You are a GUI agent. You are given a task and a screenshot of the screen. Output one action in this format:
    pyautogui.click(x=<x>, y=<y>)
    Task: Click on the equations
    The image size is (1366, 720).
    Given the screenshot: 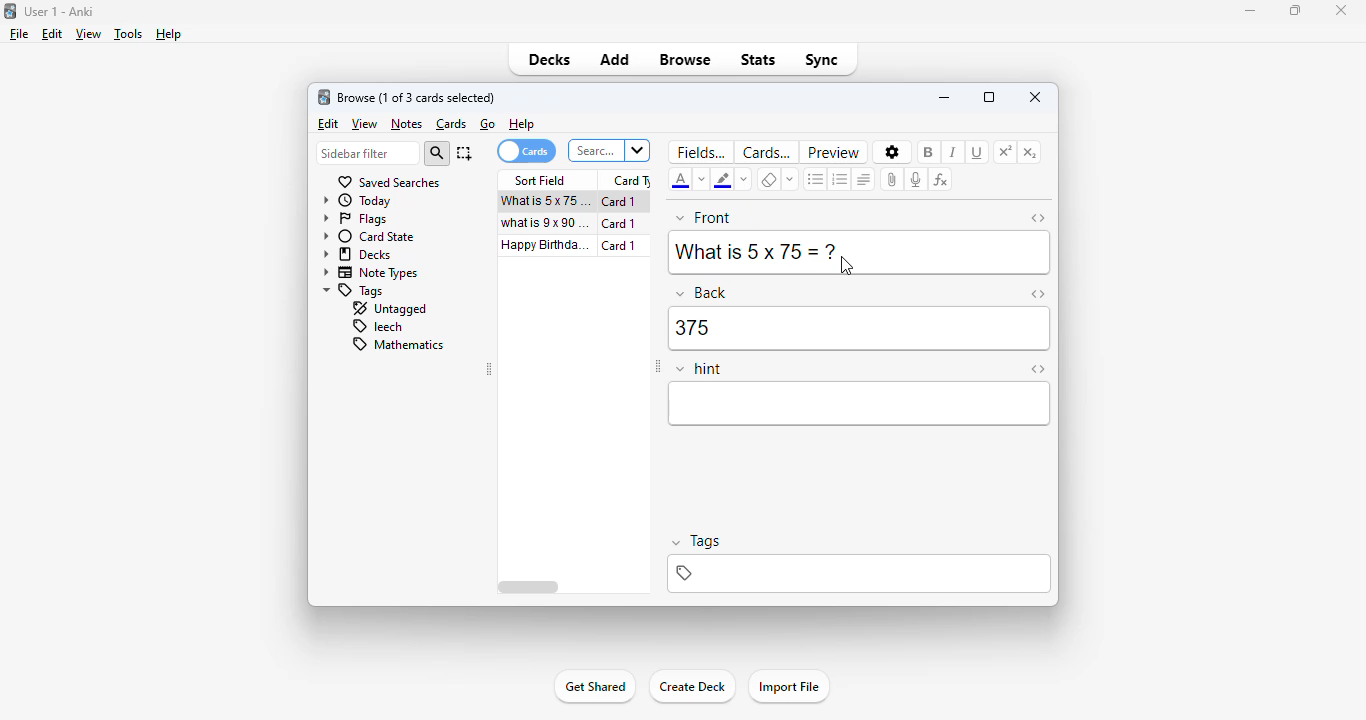 What is the action you would take?
    pyautogui.click(x=942, y=179)
    